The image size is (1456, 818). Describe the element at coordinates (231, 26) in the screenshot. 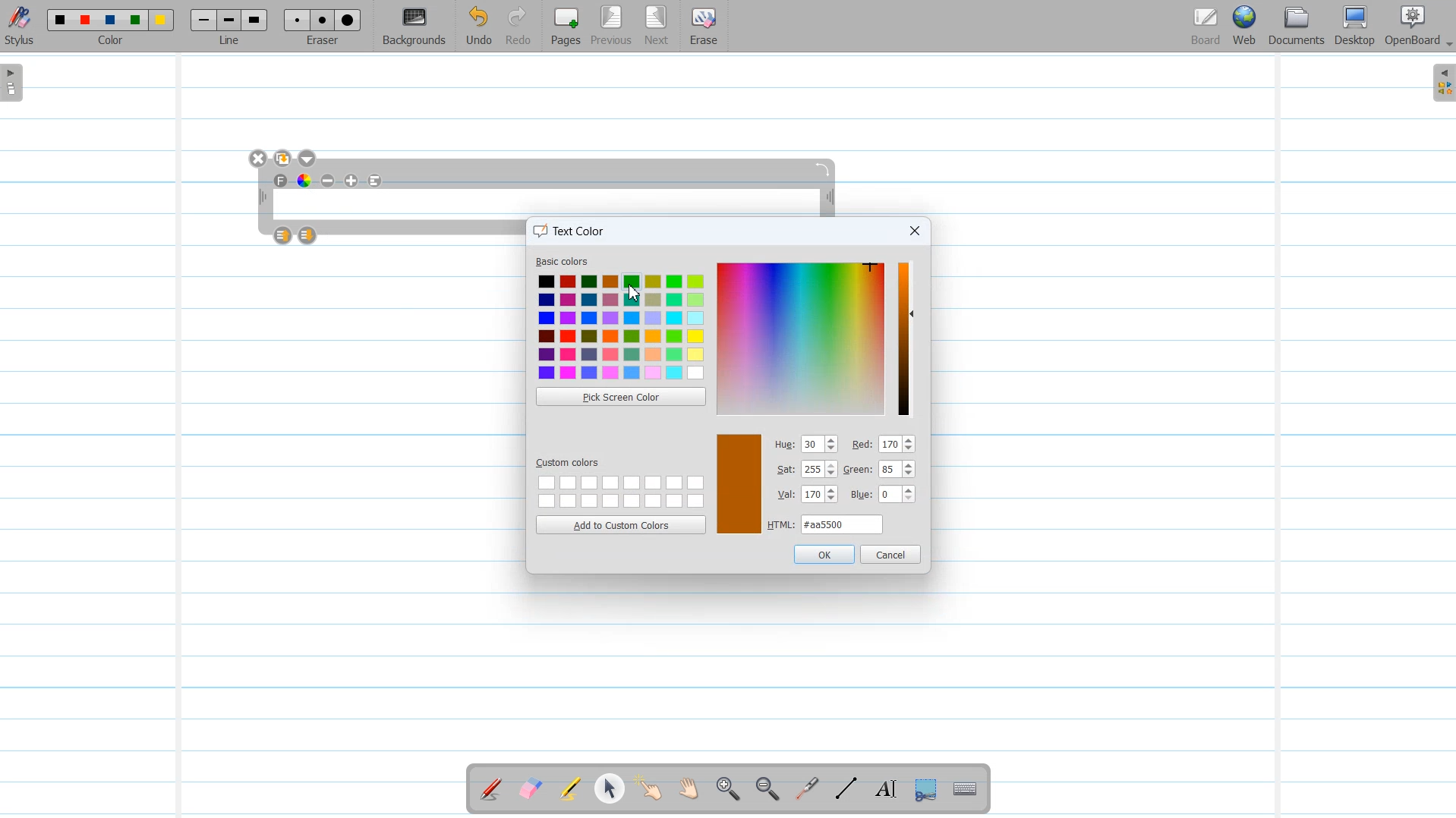

I see `Line` at that location.